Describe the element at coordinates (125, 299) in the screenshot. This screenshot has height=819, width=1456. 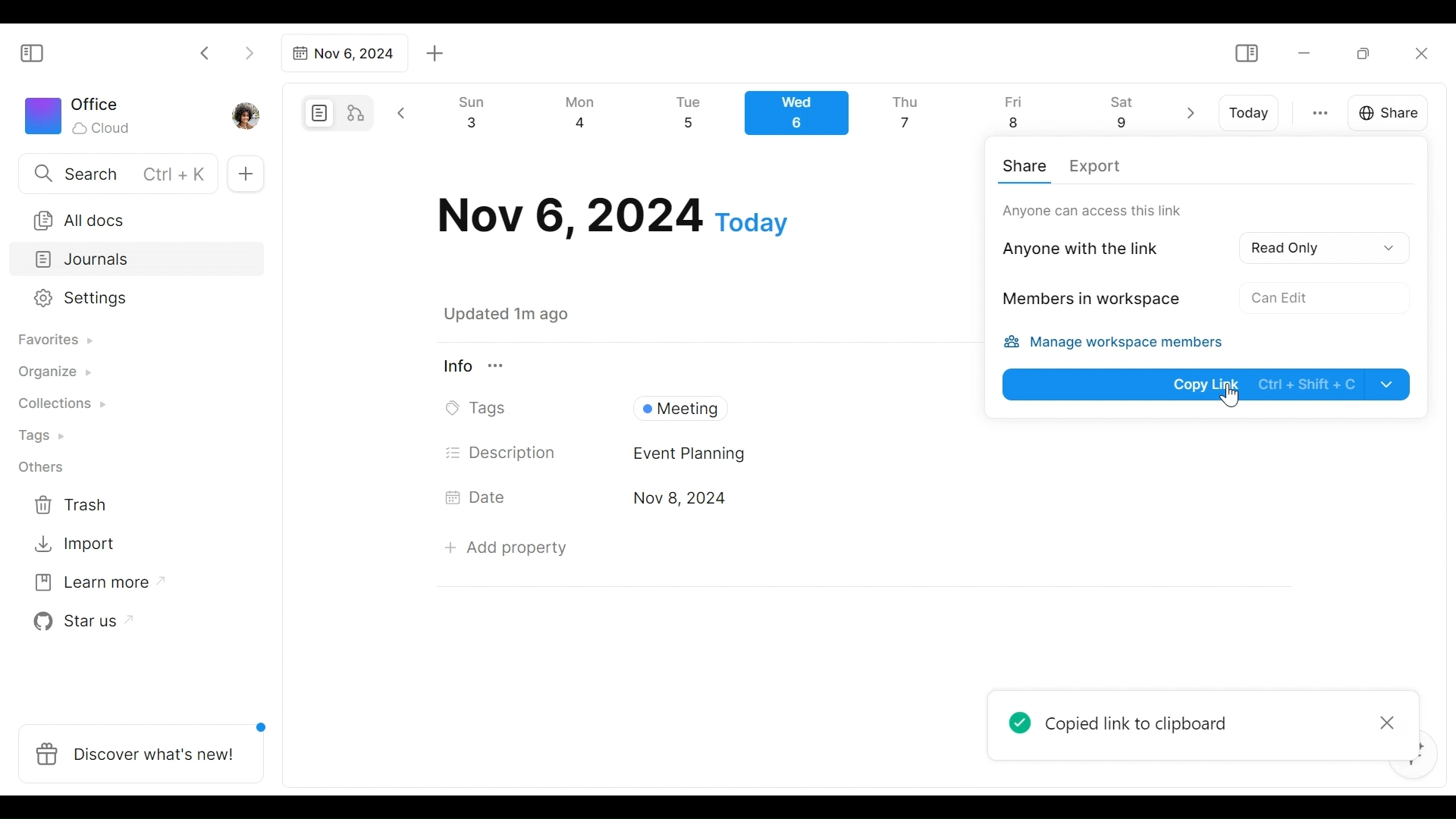
I see `Settings` at that location.